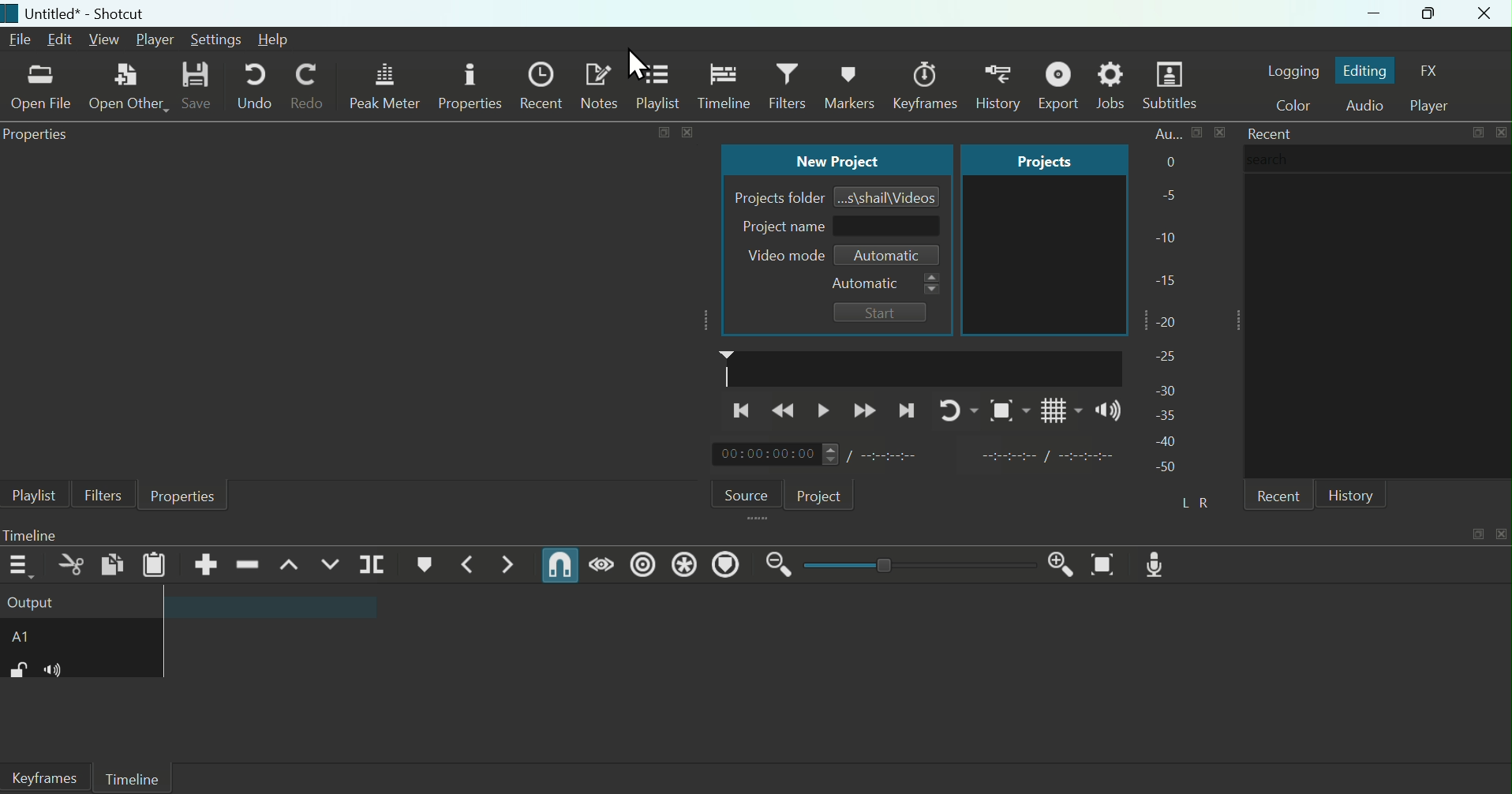 This screenshot has width=1512, height=794. What do you see at coordinates (80, 604) in the screenshot?
I see `Output` at bounding box center [80, 604].